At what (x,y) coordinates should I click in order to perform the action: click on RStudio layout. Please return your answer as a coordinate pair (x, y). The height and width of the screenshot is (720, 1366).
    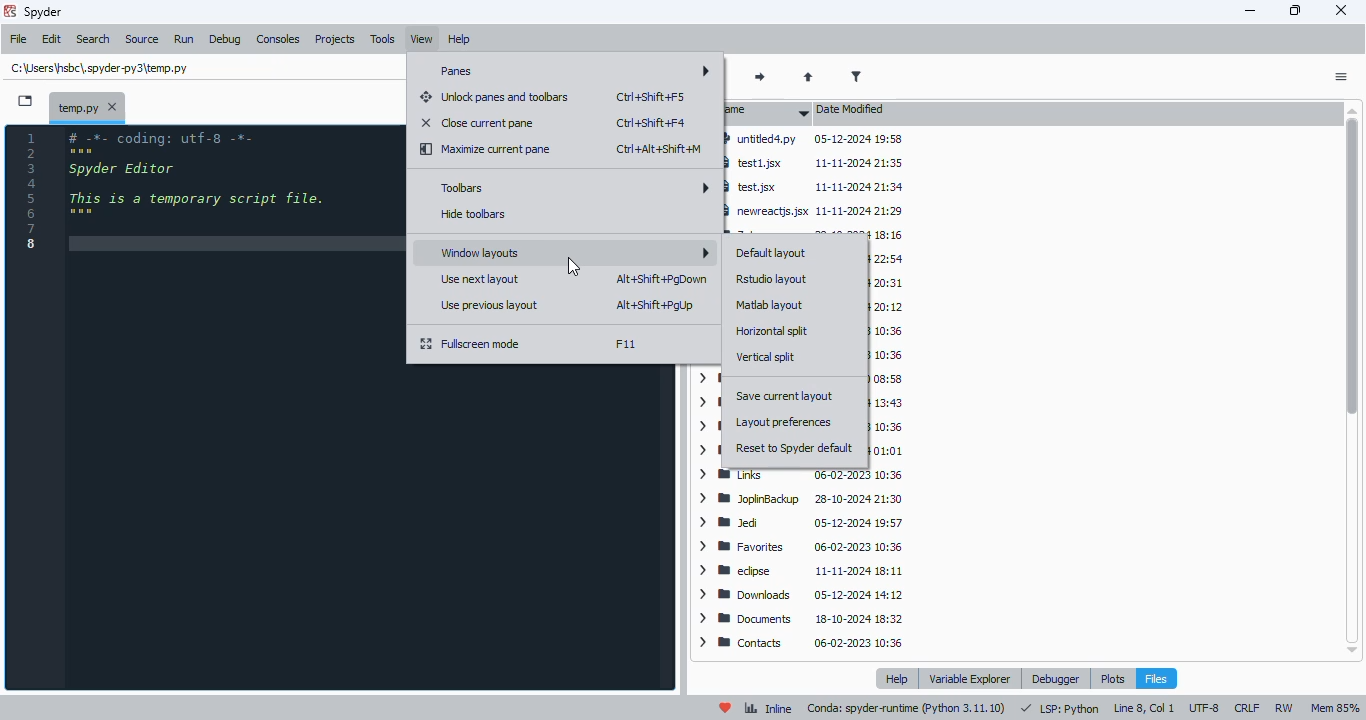
    Looking at the image, I should click on (770, 278).